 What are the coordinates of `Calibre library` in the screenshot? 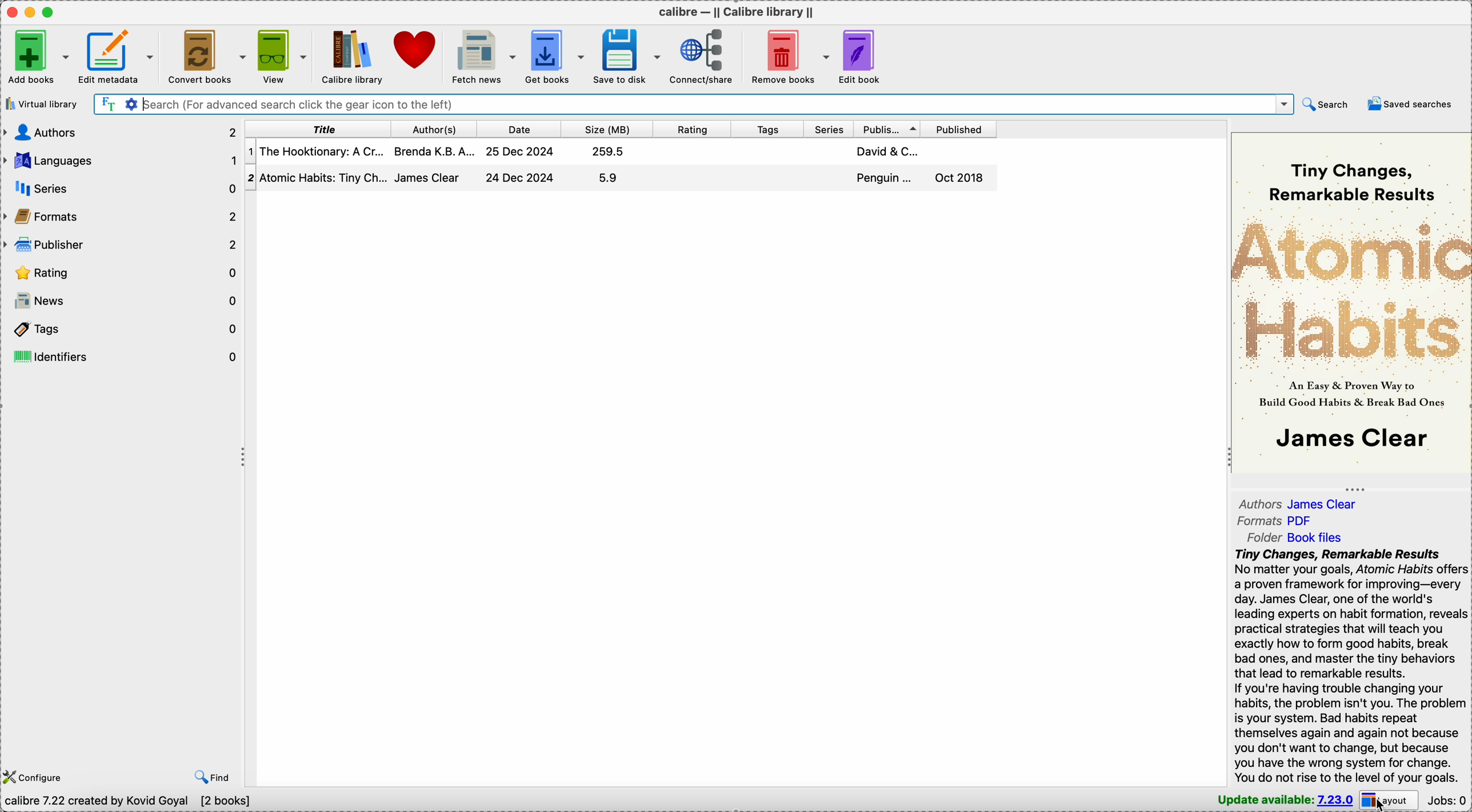 It's located at (351, 55).